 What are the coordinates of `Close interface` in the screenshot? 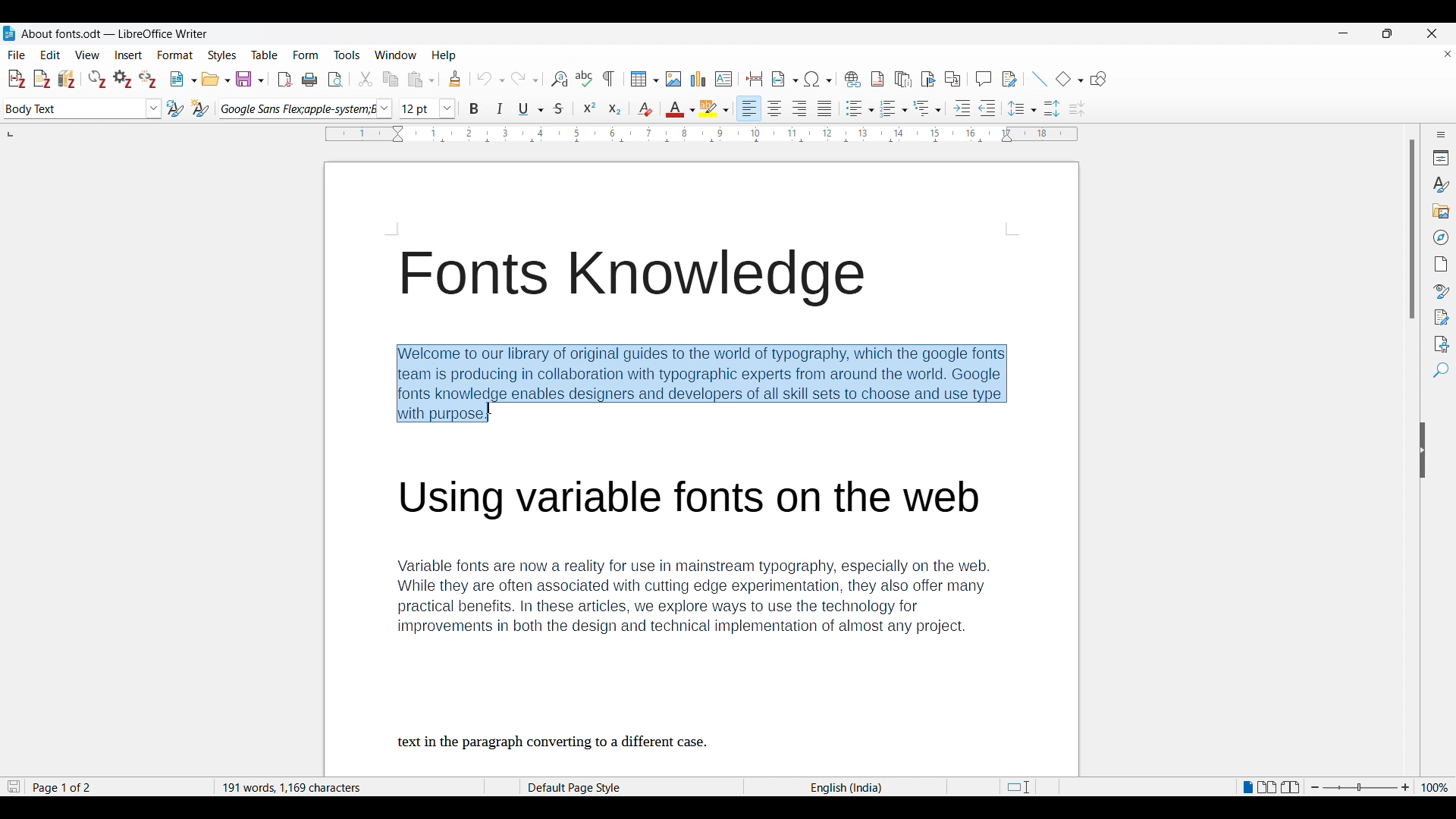 It's located at (1432, 33).